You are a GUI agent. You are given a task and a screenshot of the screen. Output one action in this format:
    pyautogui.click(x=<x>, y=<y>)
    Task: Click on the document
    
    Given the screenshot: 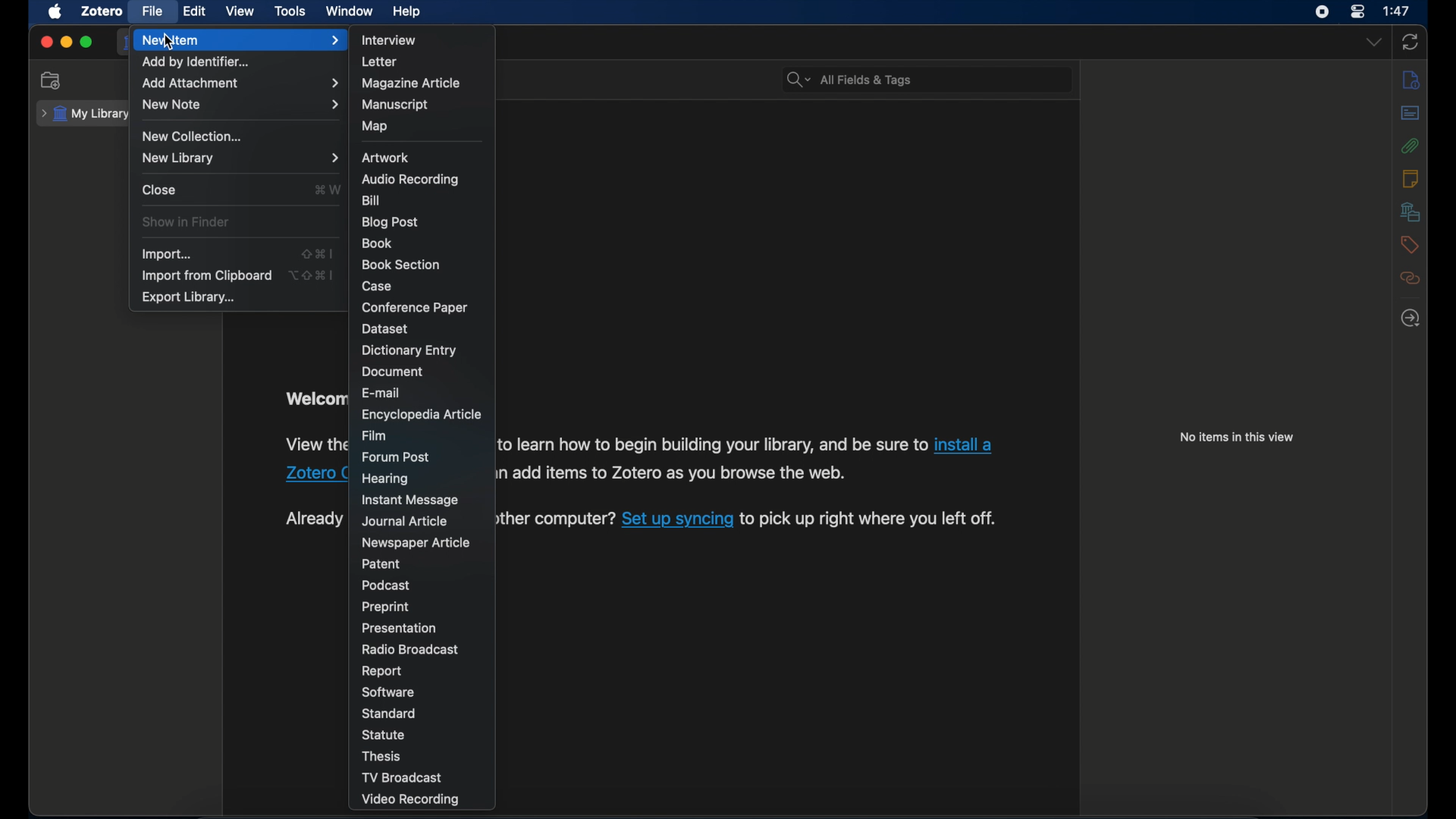 What is the action you would take?
    pyautogui.click(x=395, y=372)
    